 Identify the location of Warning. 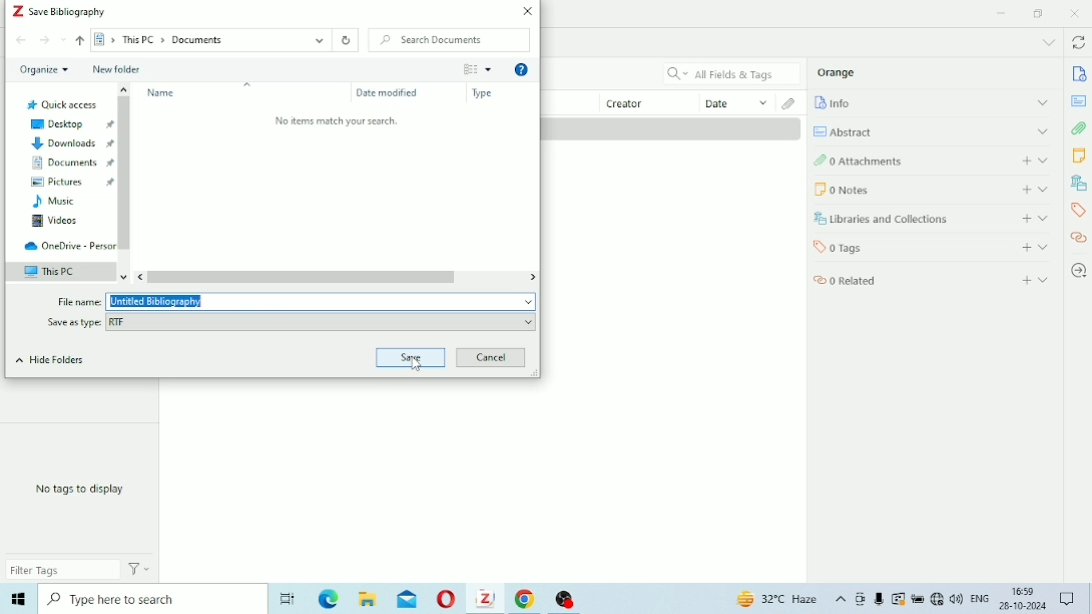
(899, 599).